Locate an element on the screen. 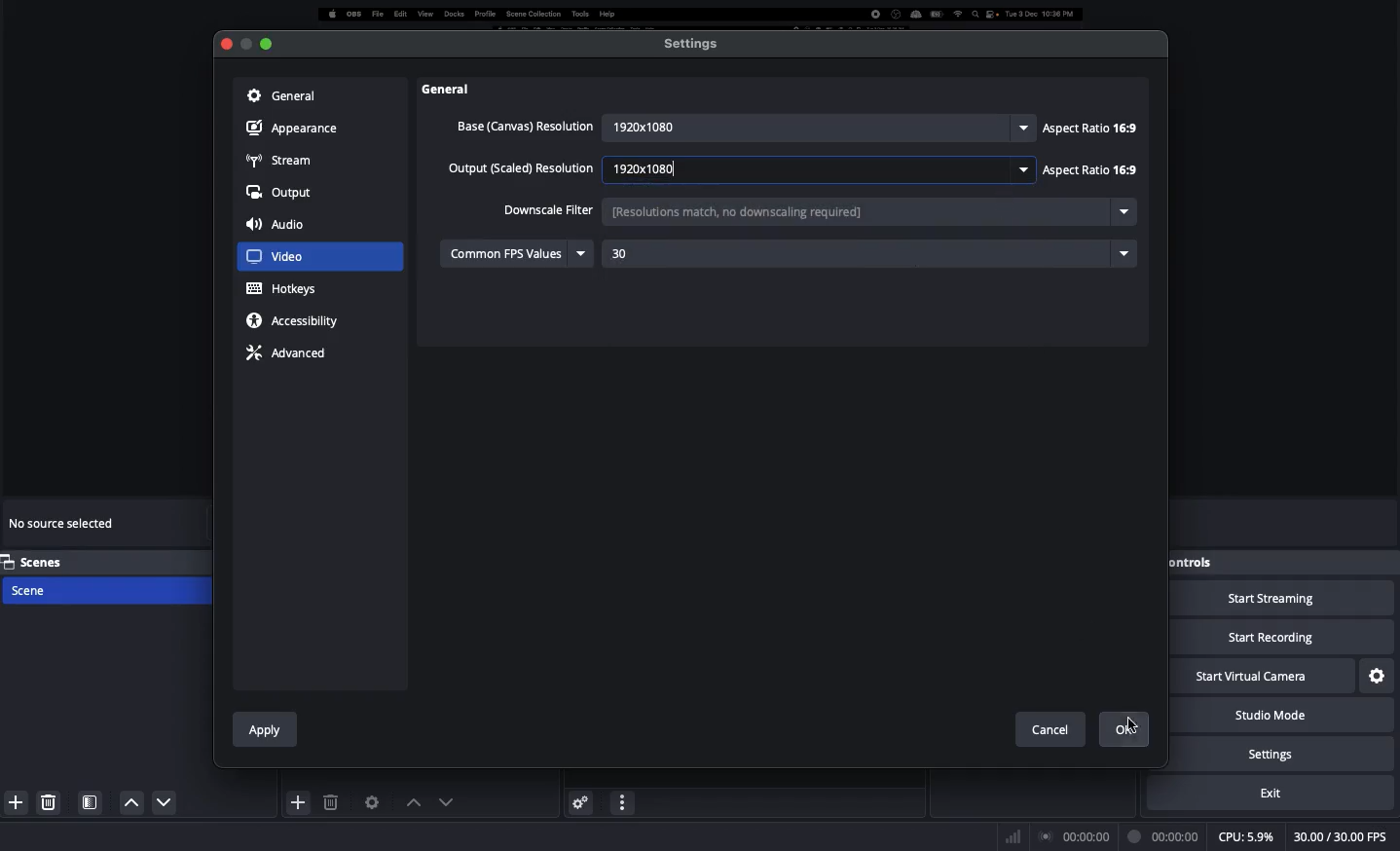  Dimensions is located at coordinates (816, 168).